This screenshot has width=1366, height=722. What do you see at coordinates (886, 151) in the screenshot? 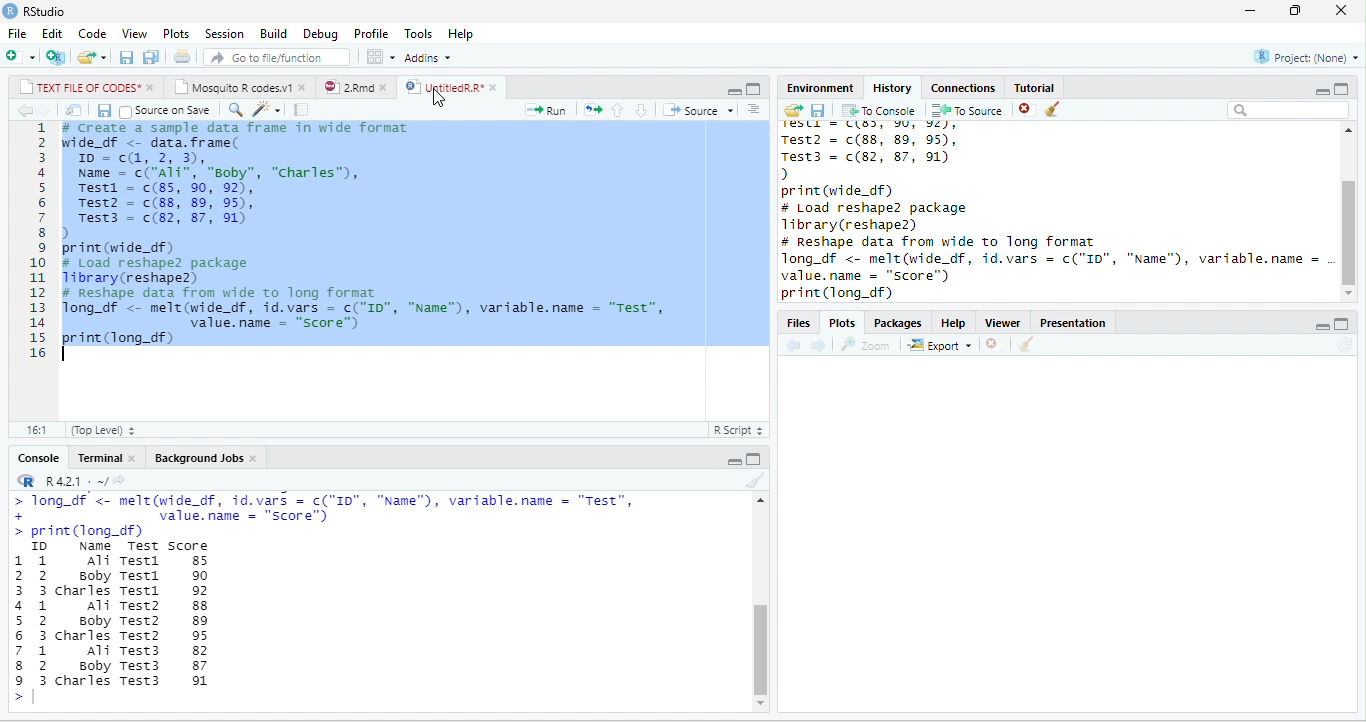
I see `Test1  = C(85,90,92),Test2 = c(88, 89, 95),Test3 = c(82, 87, 91))` at bounding box center [886, 151].